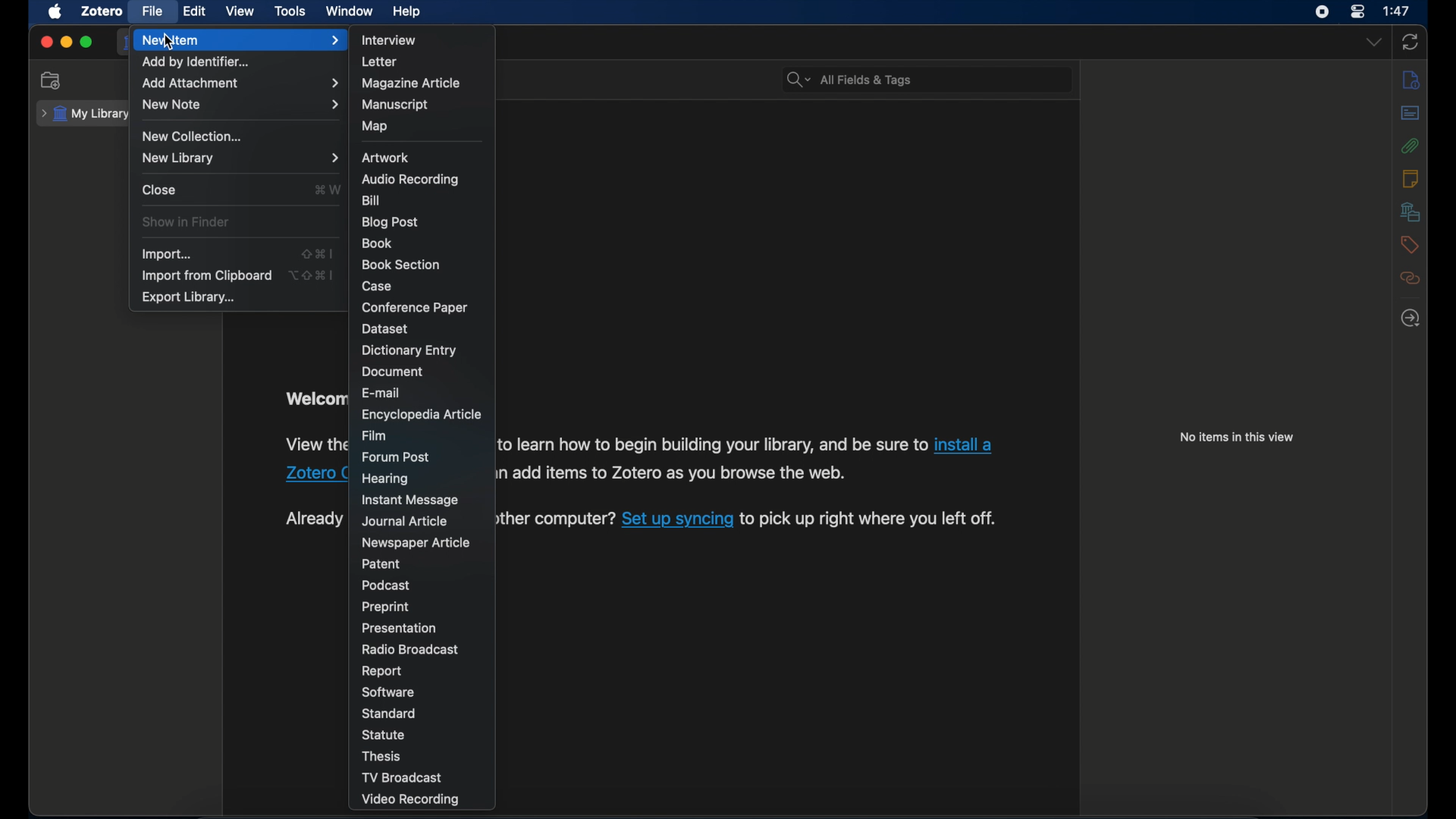  What do you see at coordinates (1410, 278) in the screenshot?
I see `related` at bounding box center [1410, 278].